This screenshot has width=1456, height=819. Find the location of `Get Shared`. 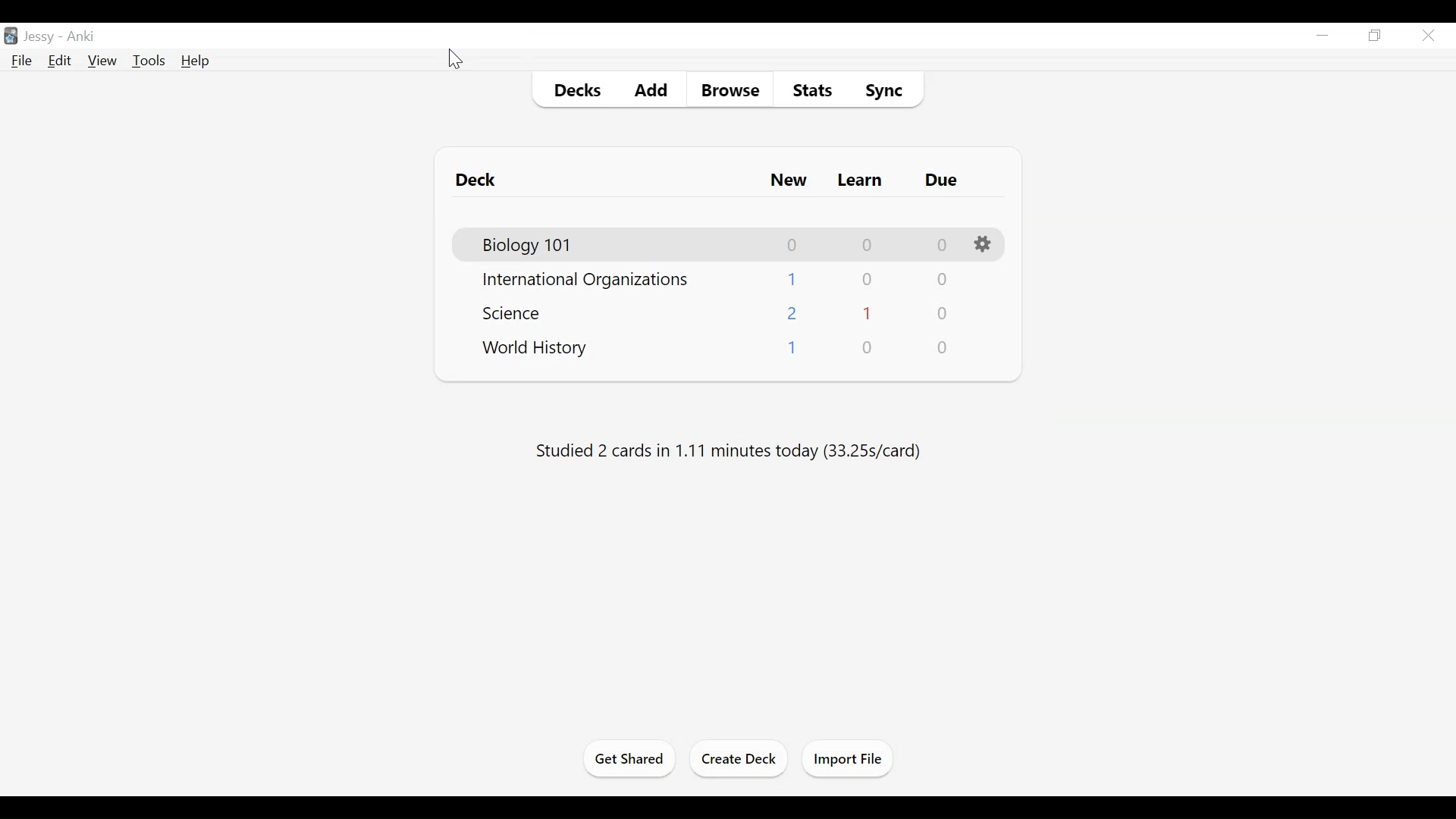

Get Shared is located at coordinates (629, 760).